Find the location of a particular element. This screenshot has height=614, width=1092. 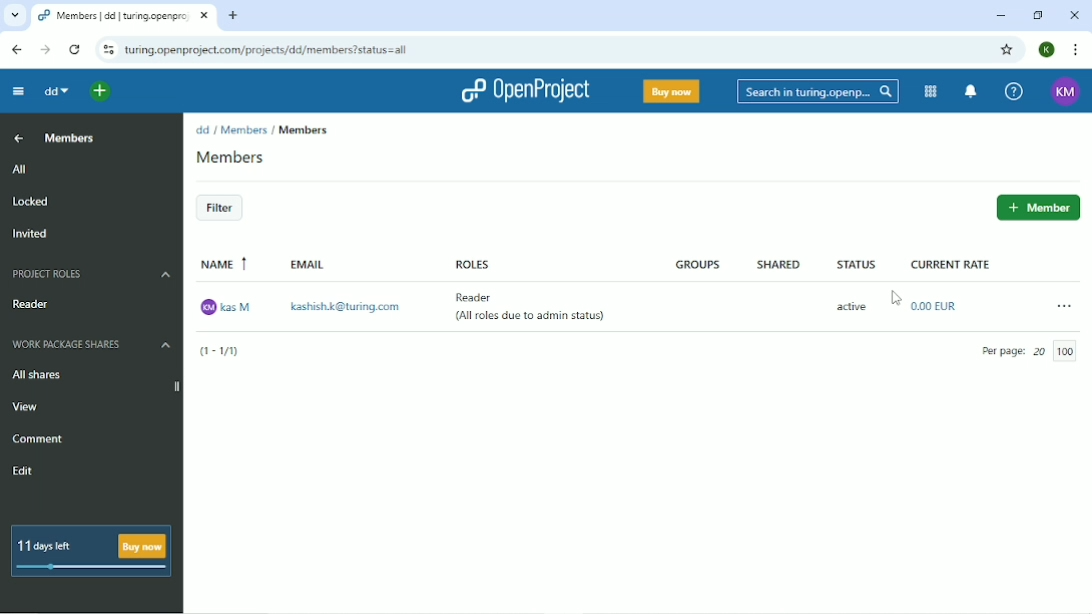

active is located at coordinates (846, 307).